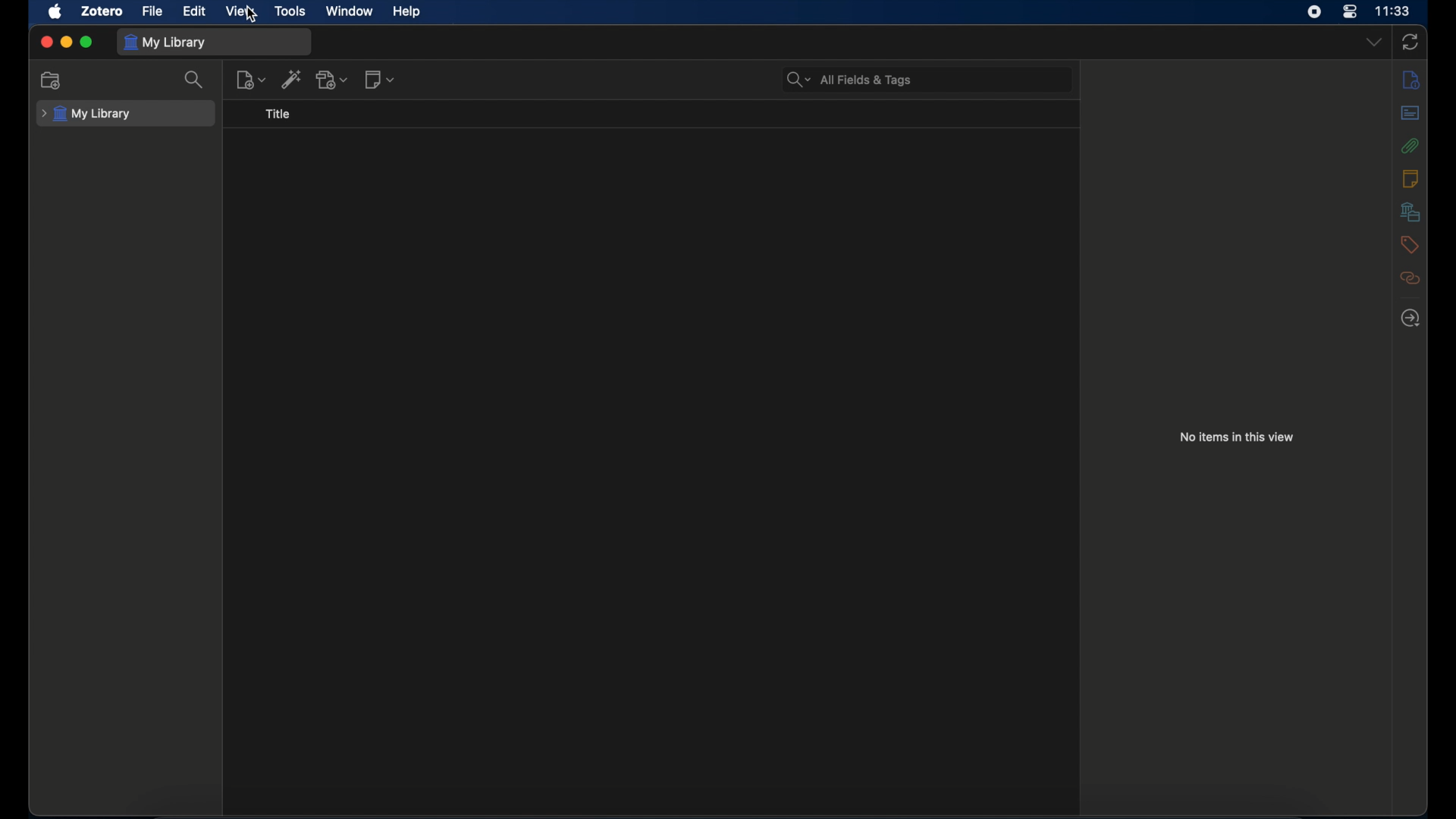 The width and height of the screenshot is (1456, 819). Describe the element at coordinates (292, 11) in the screenshot. I see `tools` at that location.